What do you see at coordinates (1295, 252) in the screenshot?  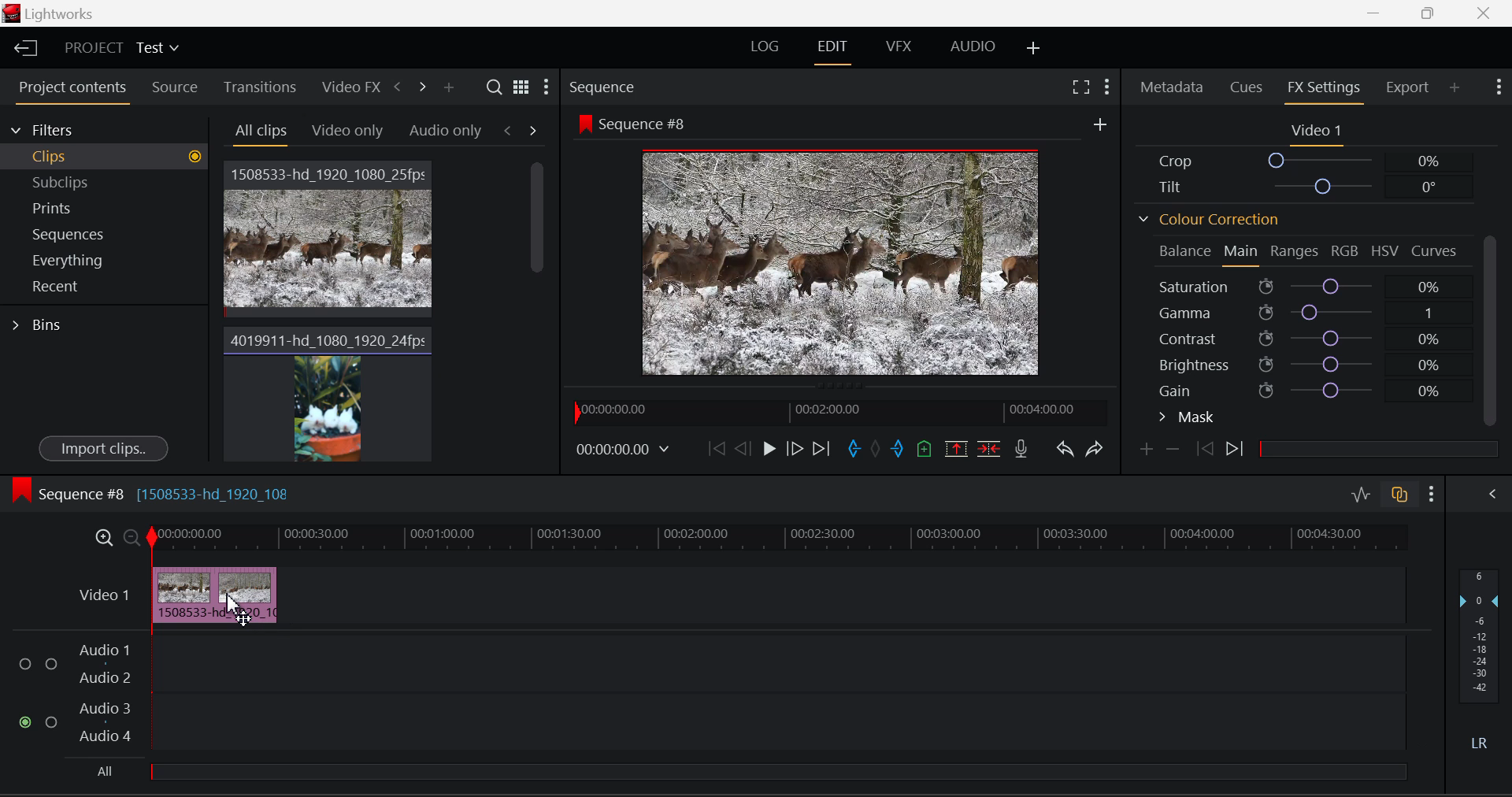 I see `Ranges` at bounding box center [1295, 252].